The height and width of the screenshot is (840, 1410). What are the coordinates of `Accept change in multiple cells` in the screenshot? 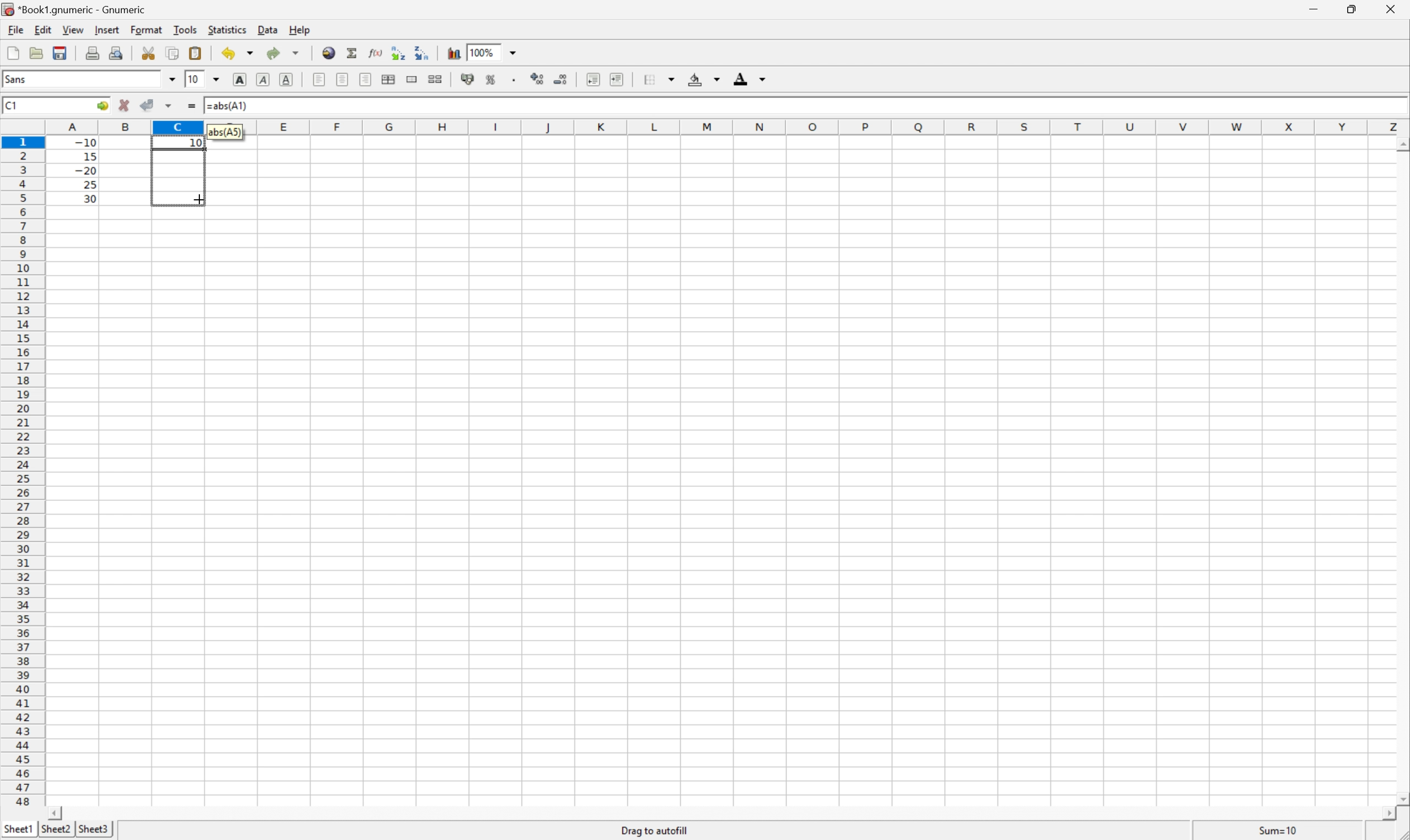 It's located at (171, 106).